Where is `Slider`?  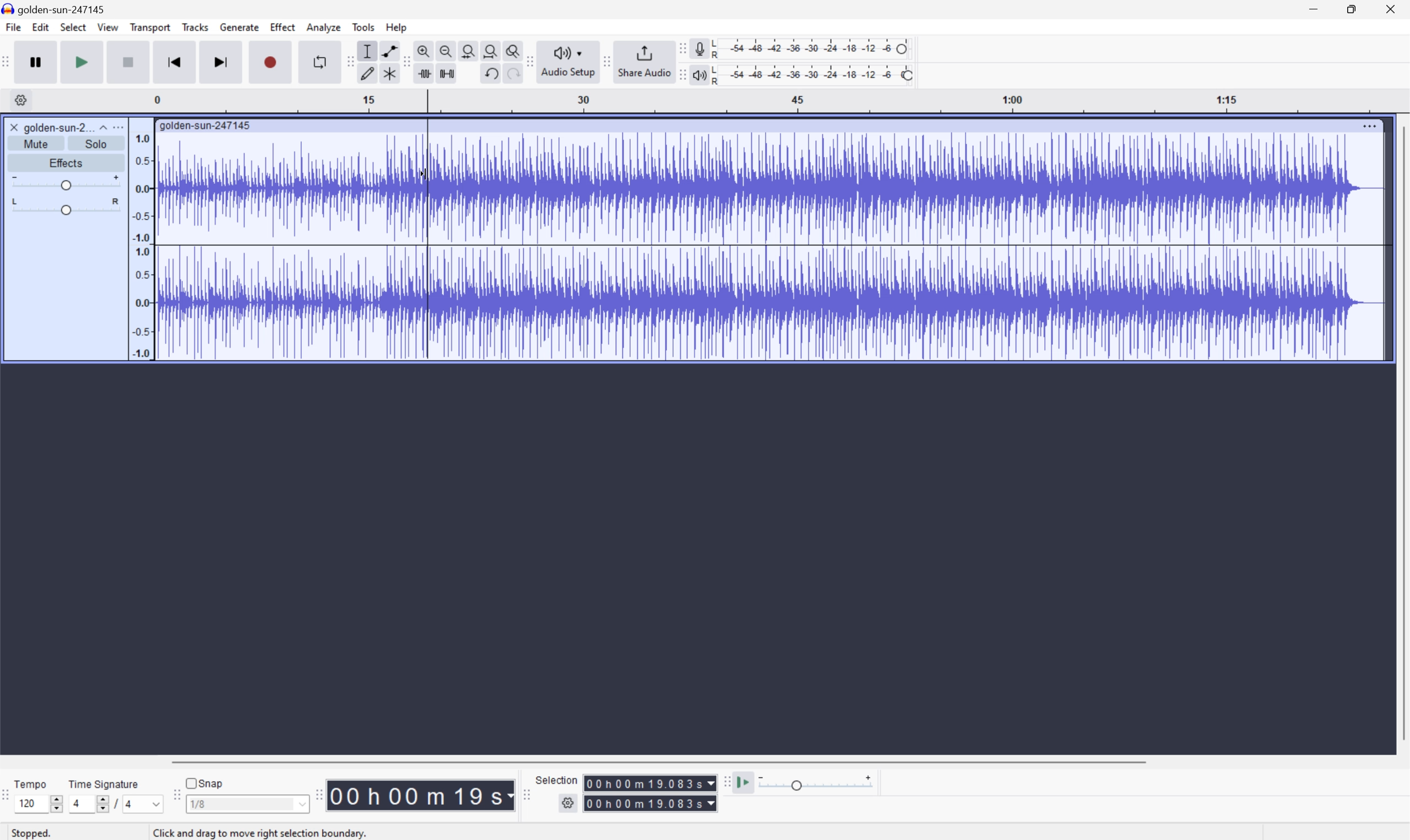 Slider is located at coordinates (96, 806).